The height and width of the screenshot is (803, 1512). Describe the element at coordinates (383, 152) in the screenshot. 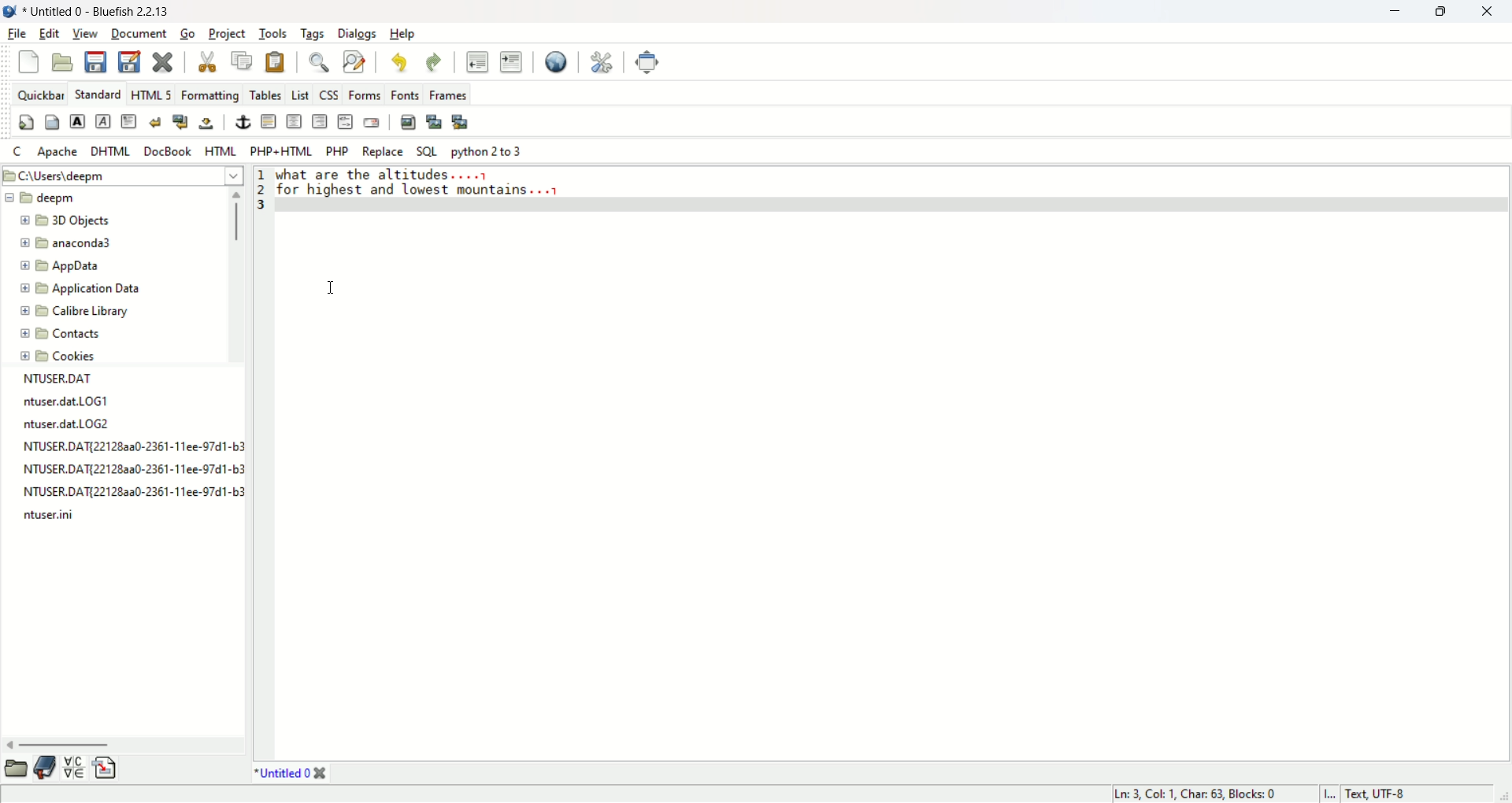

I see `REPLACE` at that location.